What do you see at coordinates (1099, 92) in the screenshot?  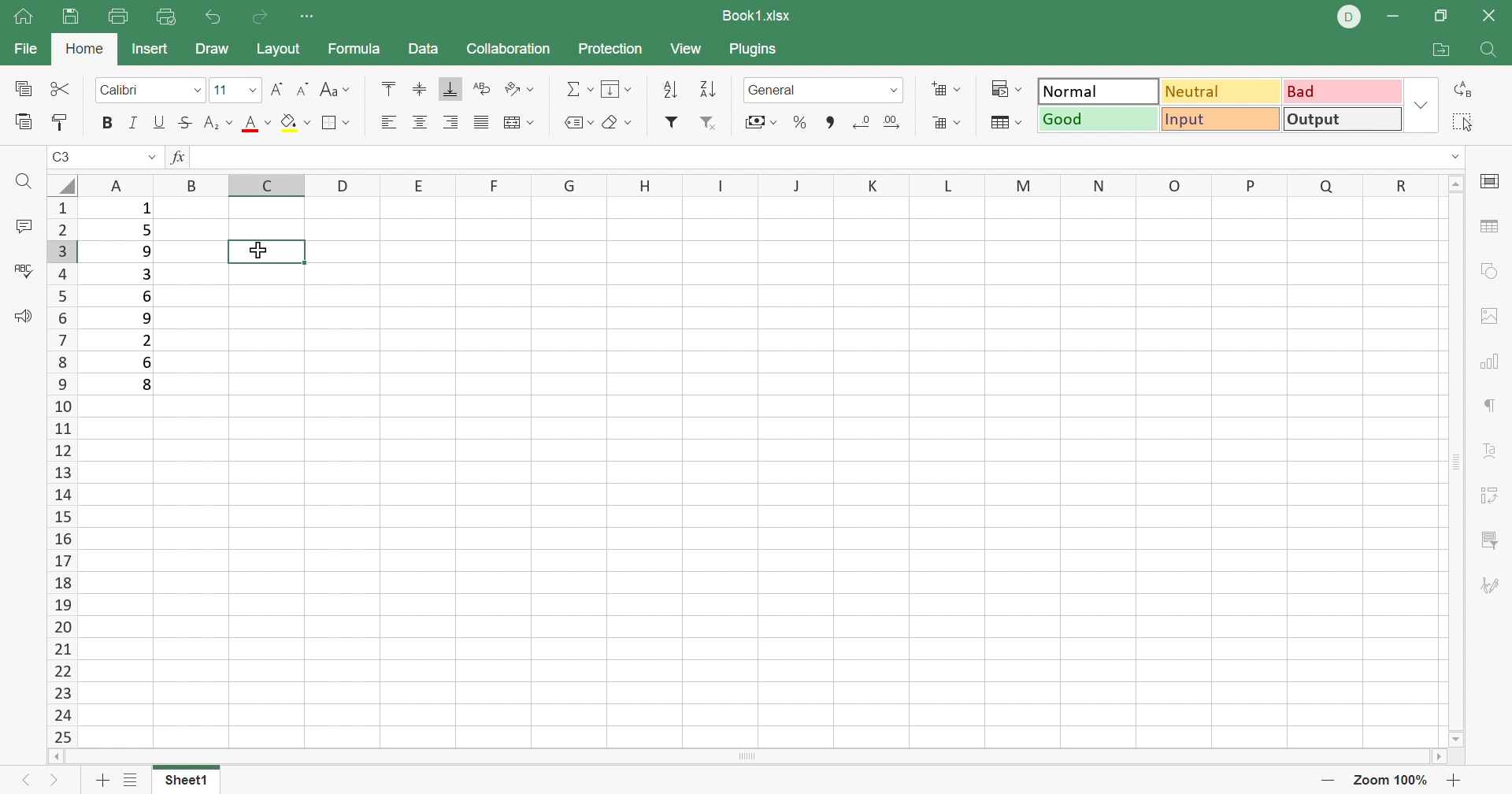 I see `Normal` at bounding box center [1099, 92].